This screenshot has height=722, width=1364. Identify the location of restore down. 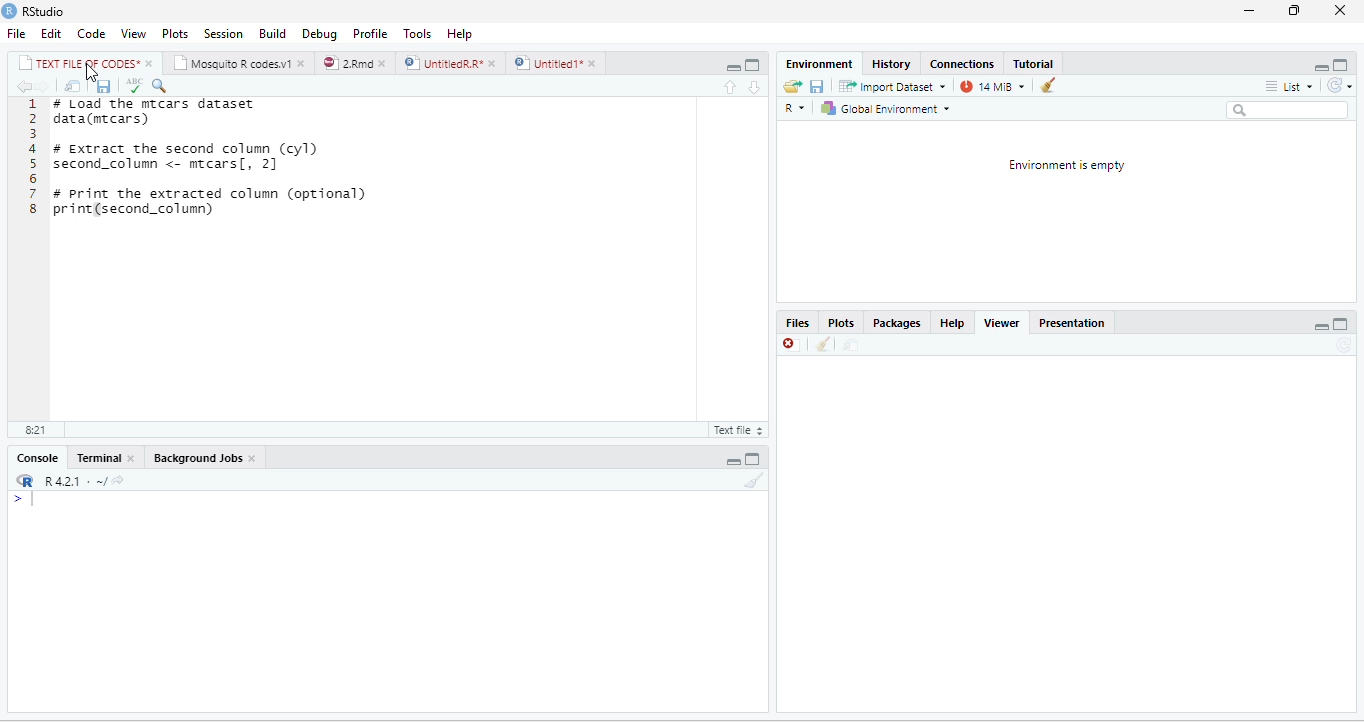
(1292, 12).